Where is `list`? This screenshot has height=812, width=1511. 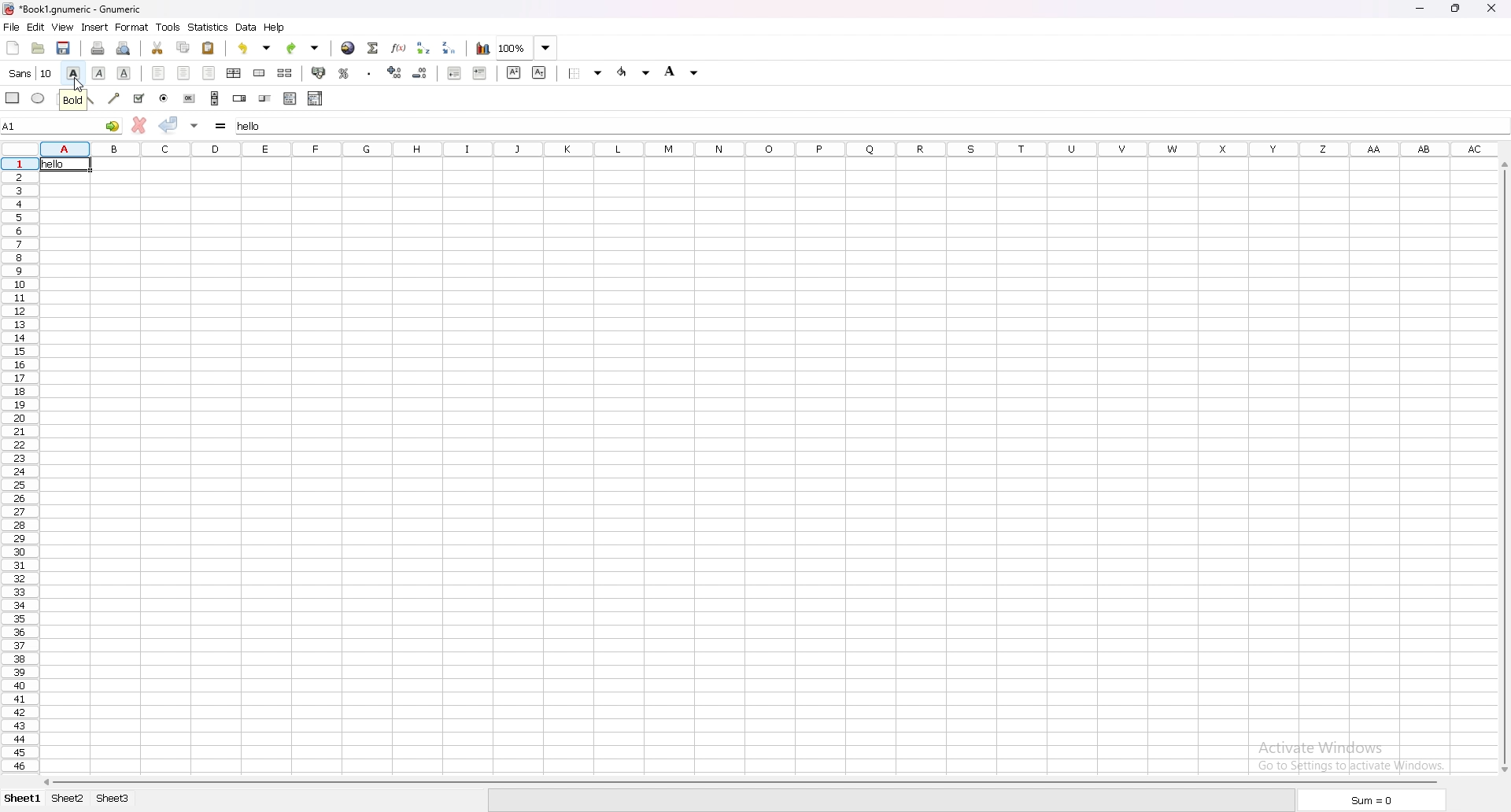
list is located at coordinates (290, 98).